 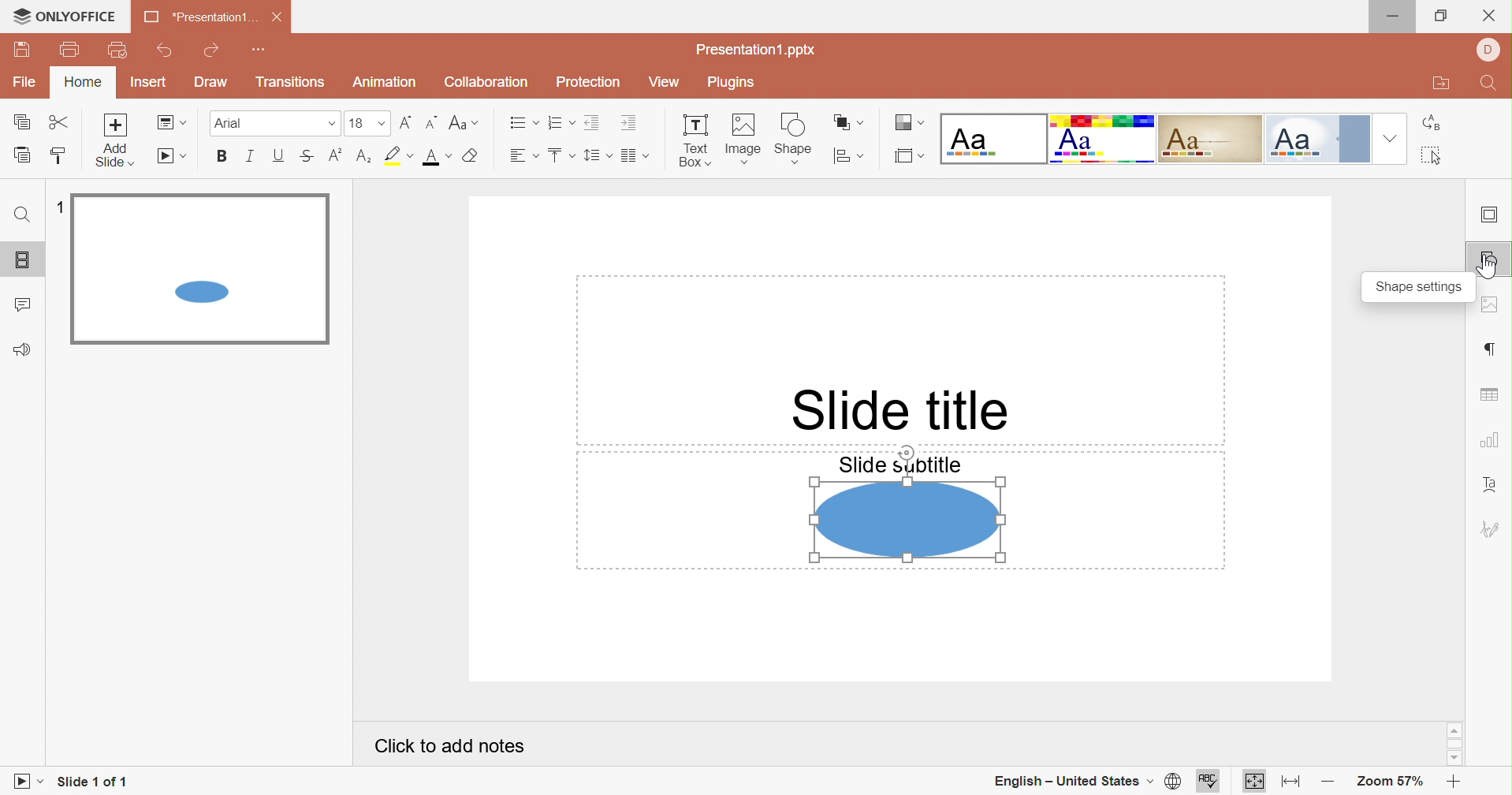 I want to click on Restore down, so click(x=1439, y=17).